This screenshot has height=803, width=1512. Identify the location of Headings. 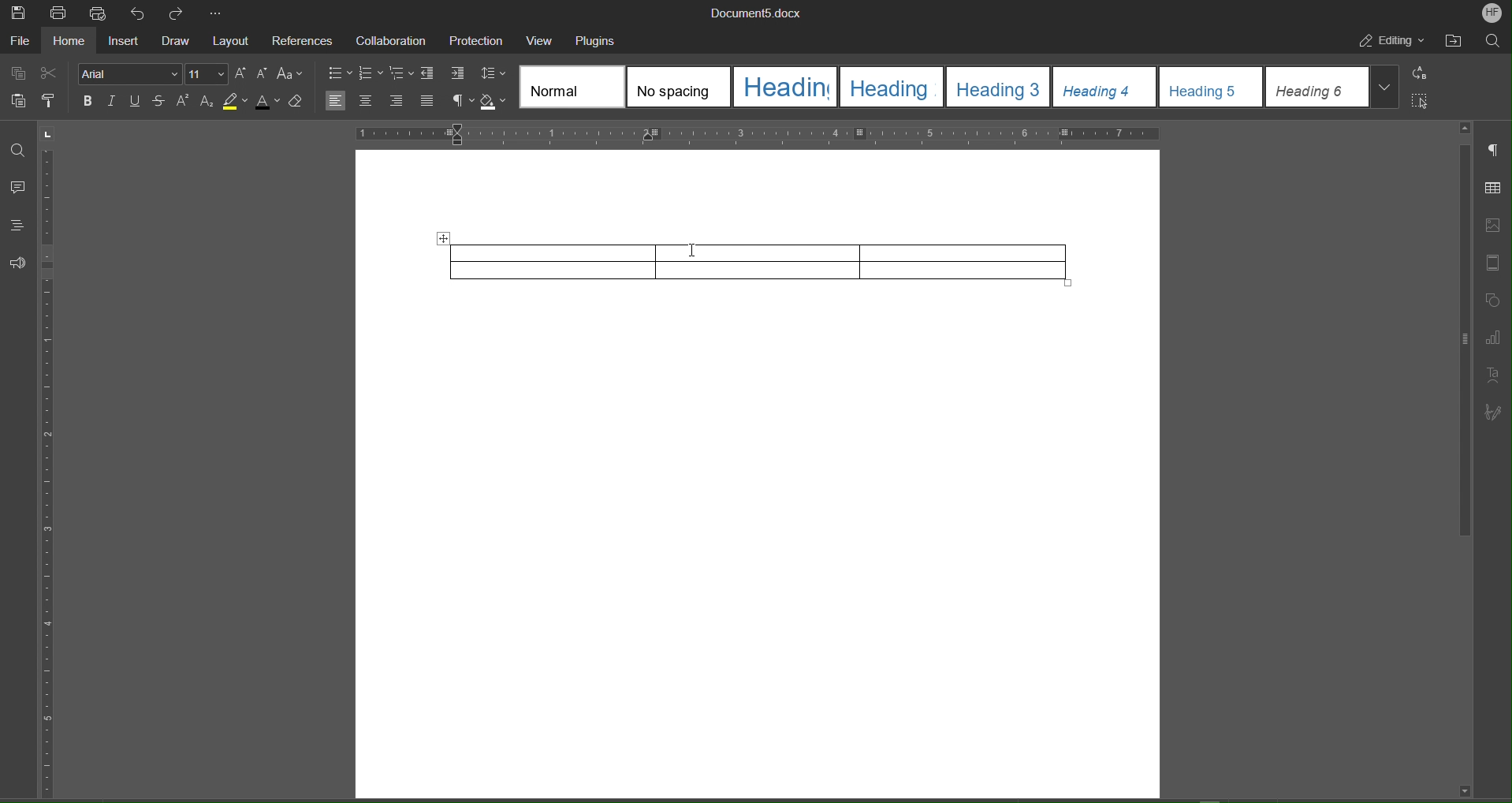
(18, 223).